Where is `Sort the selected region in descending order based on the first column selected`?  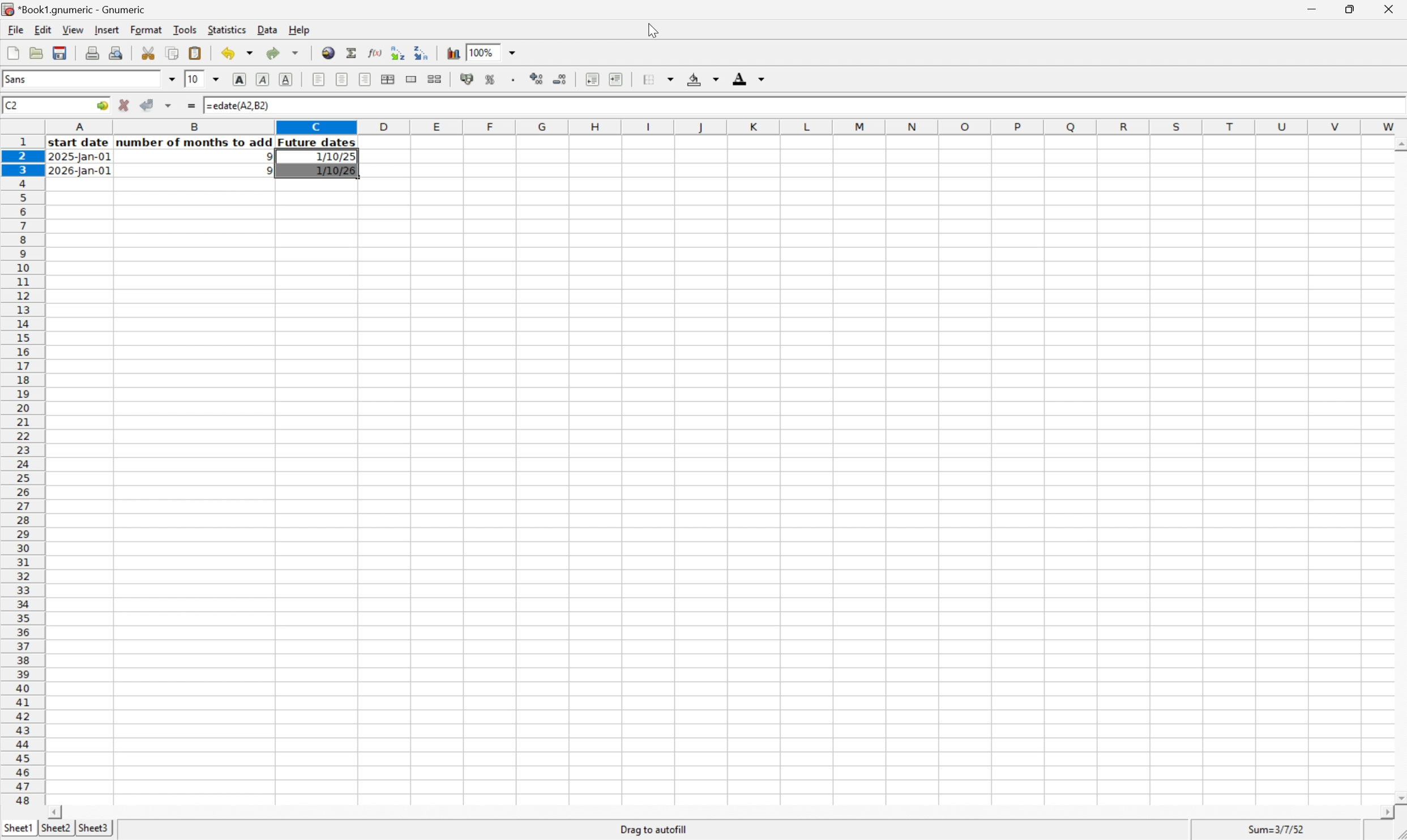
Sort the selected region in descending order based on the first column selected is located at coordinates (423, 52).